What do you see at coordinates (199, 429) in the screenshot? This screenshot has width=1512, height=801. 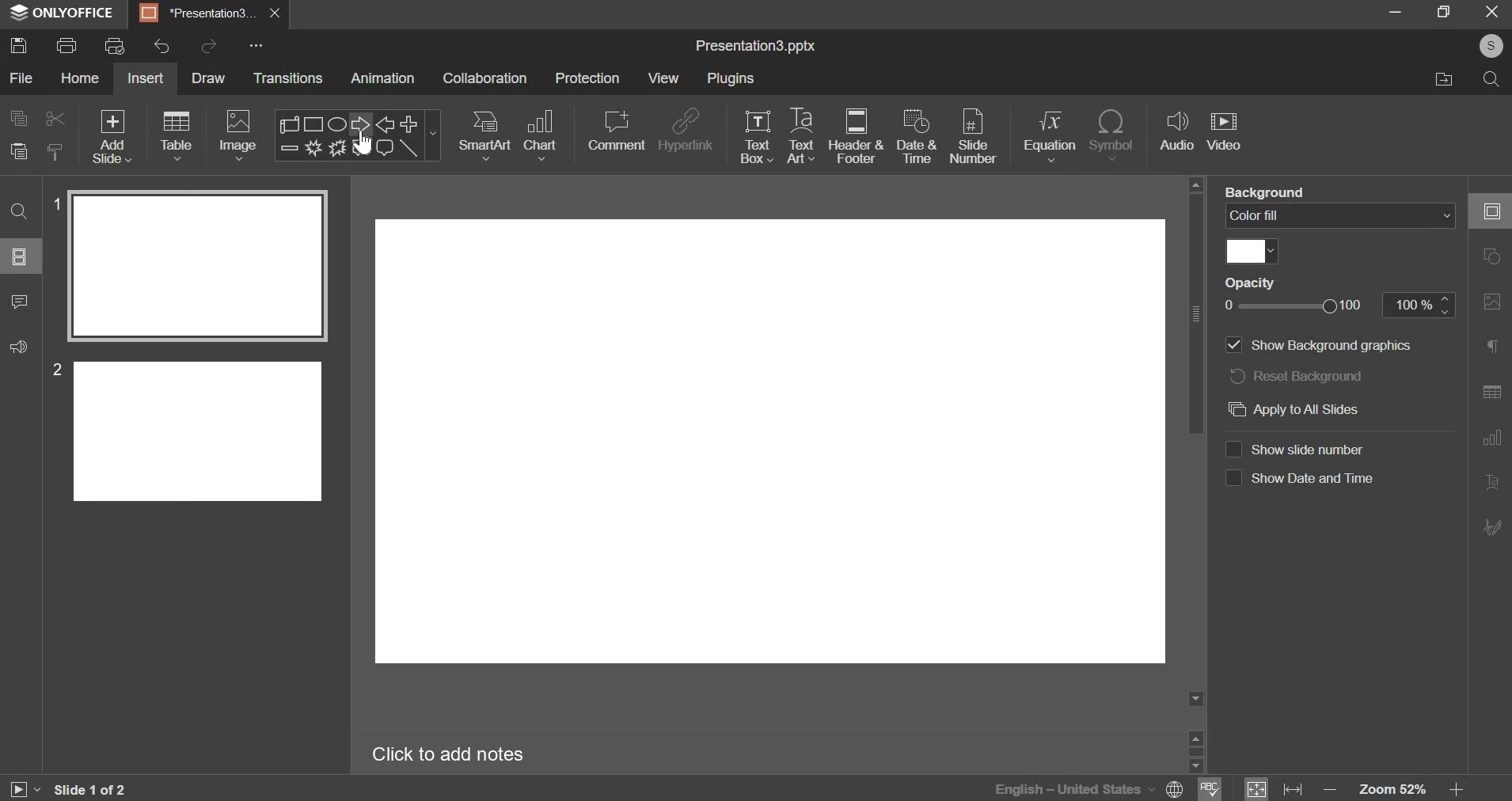 I see `slide 2 preview` at bounding box center [199, 429].